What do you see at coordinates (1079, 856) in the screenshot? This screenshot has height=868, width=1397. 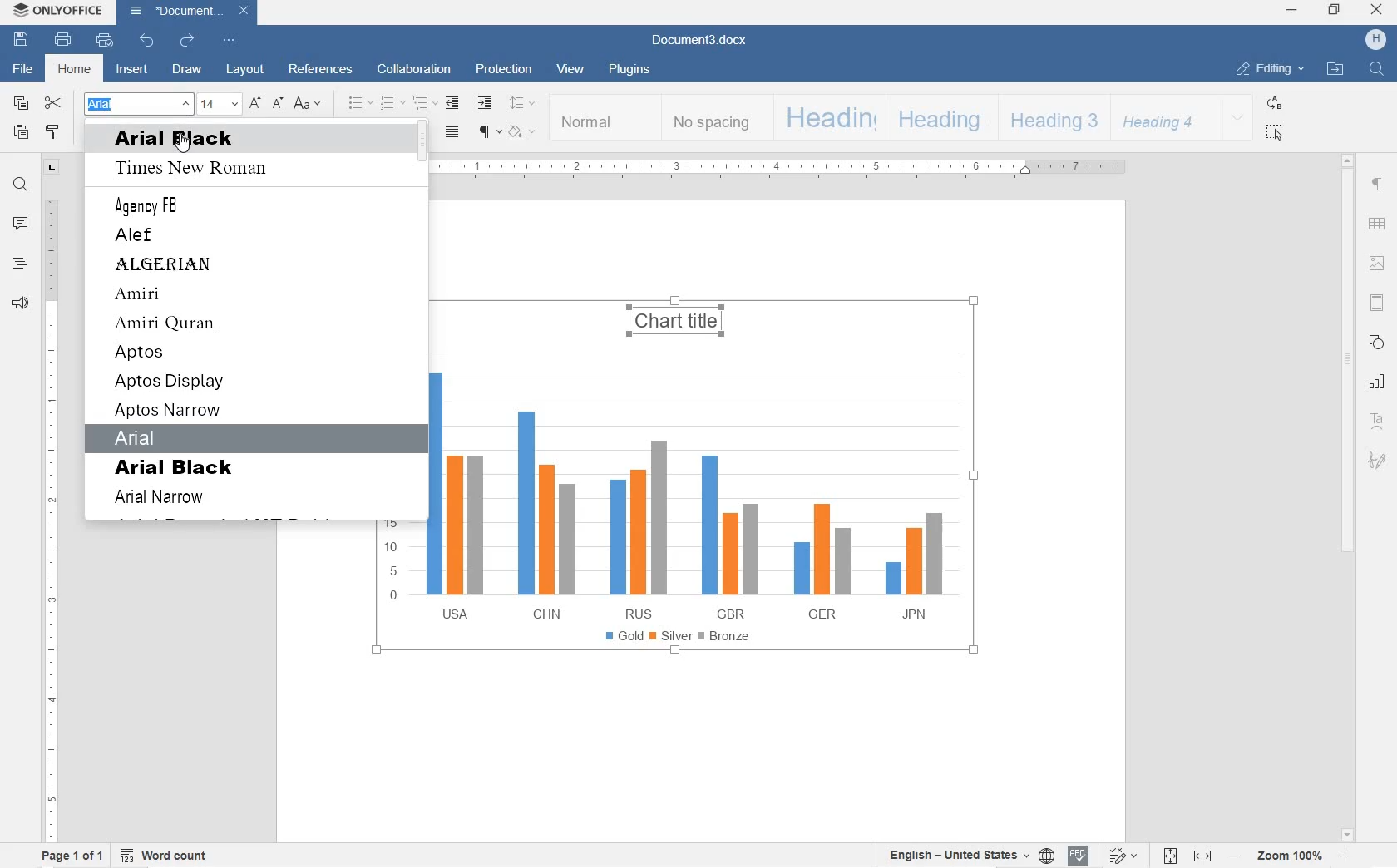 I see `SPELL CHECKING` at bounding box center [1079, 856].